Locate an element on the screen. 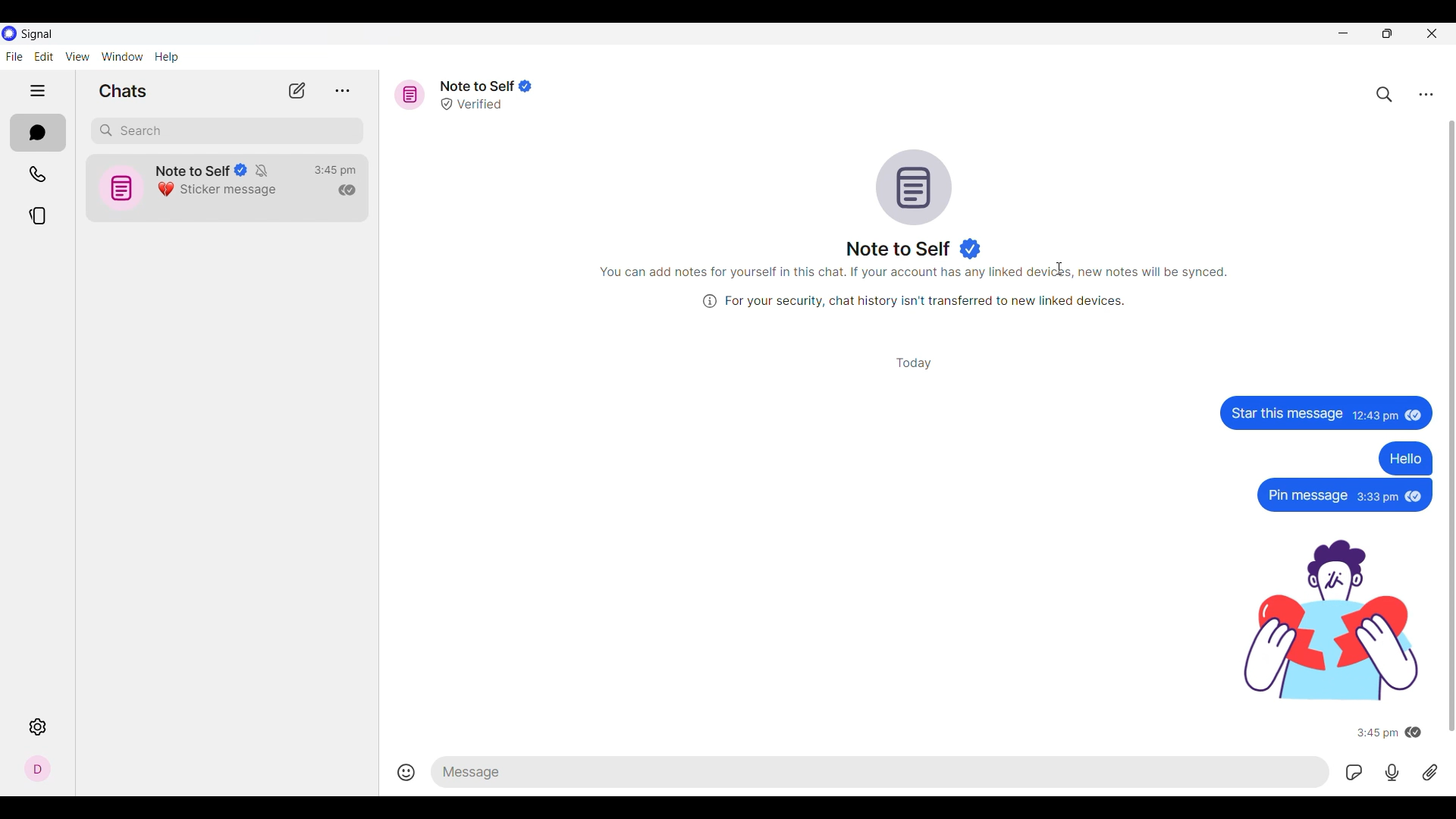 This screenshot has width=1456, height=819. Type in text message is located at coordinates (874, 772).